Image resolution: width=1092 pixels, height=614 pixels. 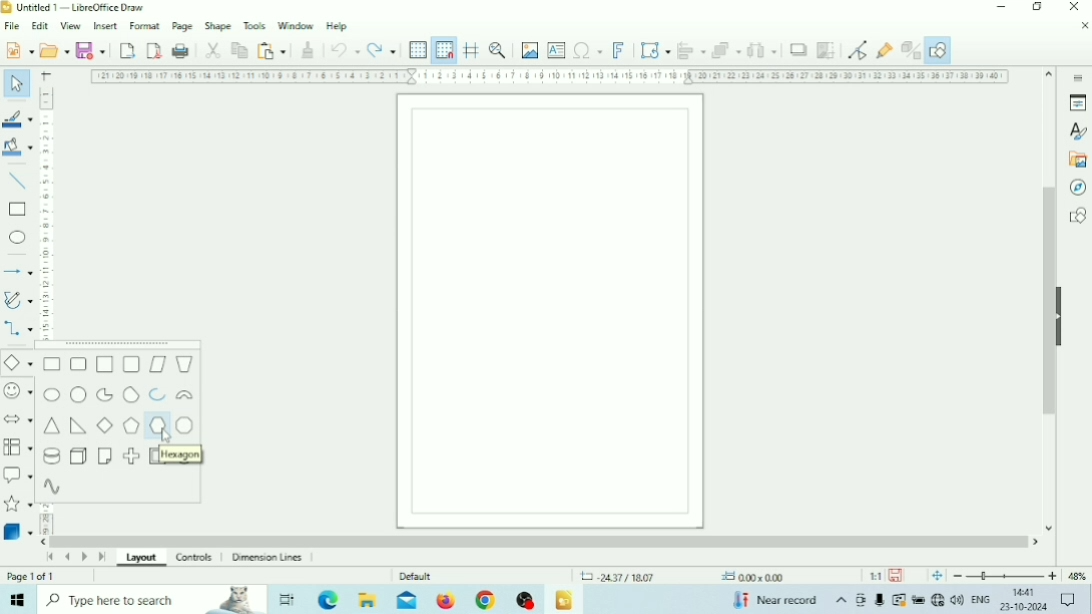 What do you see at coordinates (841, 601) in the screenshot?
I see `Show hidden icons` at bounding box center [841, 601].